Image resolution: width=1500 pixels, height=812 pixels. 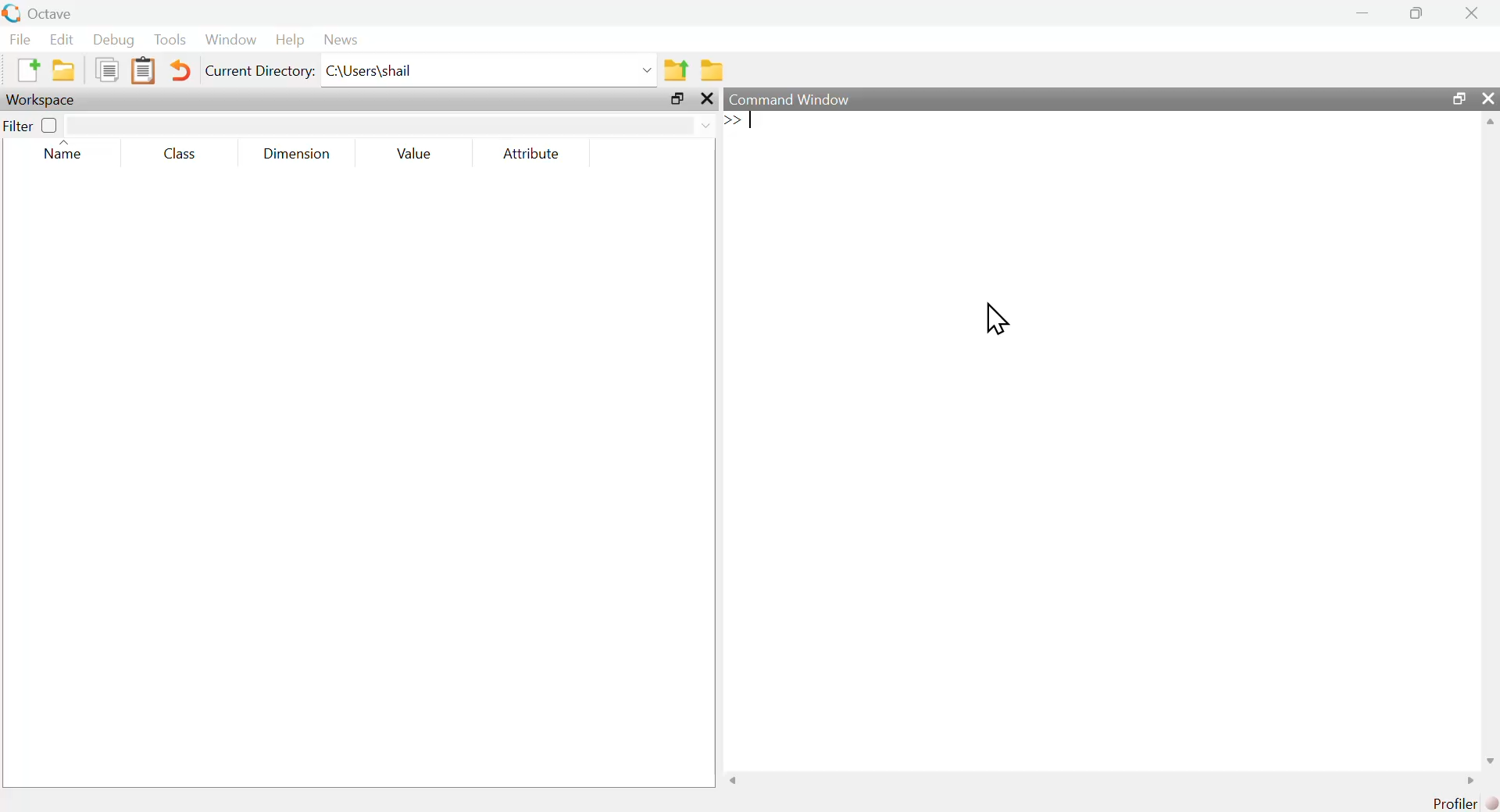 I want to click on Clipboard, so click(x=143, y=71).